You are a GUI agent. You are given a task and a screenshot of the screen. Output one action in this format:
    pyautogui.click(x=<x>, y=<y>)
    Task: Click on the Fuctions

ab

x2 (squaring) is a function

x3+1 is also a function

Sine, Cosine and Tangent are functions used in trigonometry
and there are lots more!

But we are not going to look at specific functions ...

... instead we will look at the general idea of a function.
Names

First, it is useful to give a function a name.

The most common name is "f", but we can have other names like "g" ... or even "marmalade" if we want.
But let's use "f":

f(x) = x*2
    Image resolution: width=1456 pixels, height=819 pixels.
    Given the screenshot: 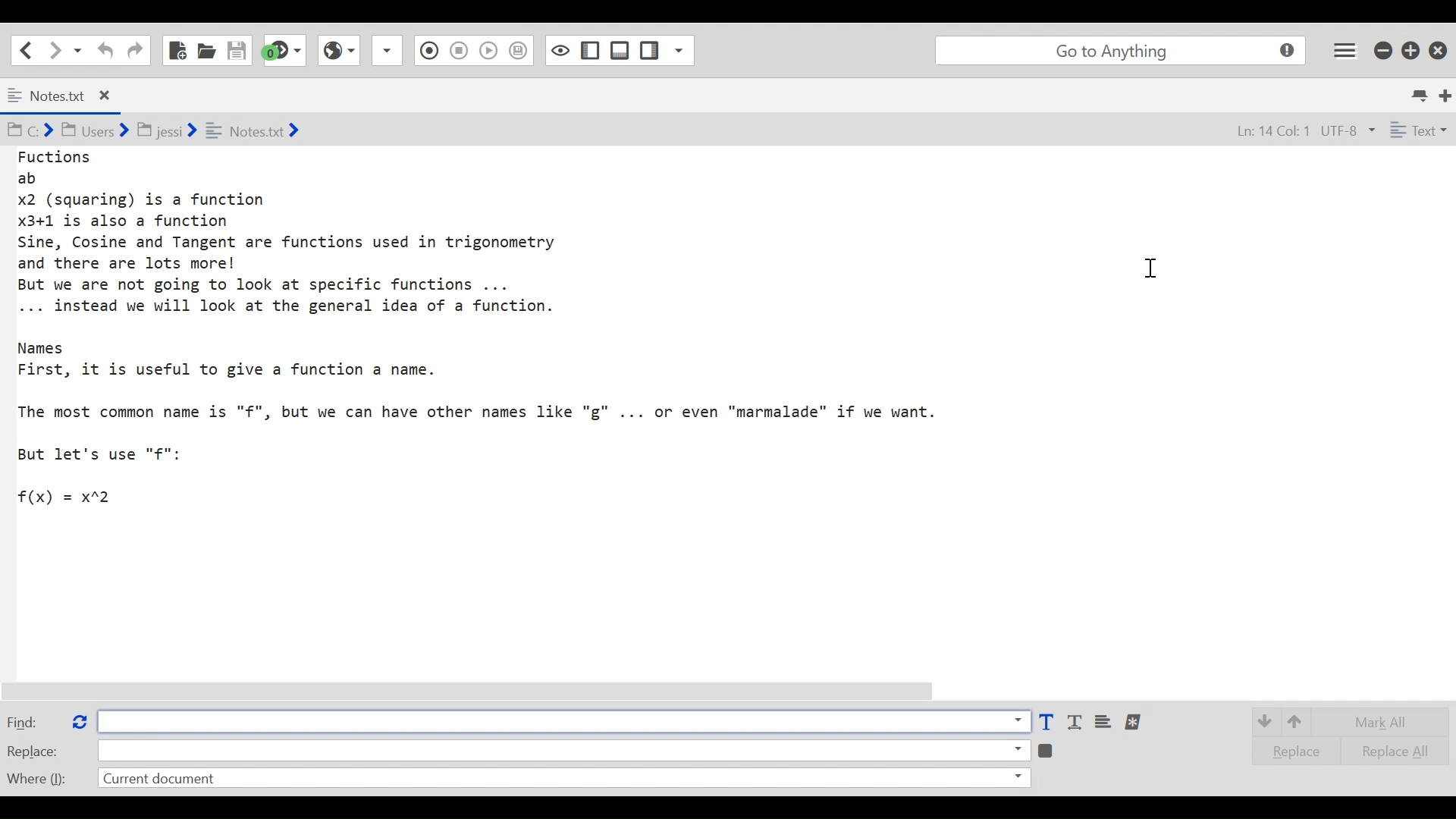 What is the action you would take?
    pyautogui.click(x=496, y=328)
    